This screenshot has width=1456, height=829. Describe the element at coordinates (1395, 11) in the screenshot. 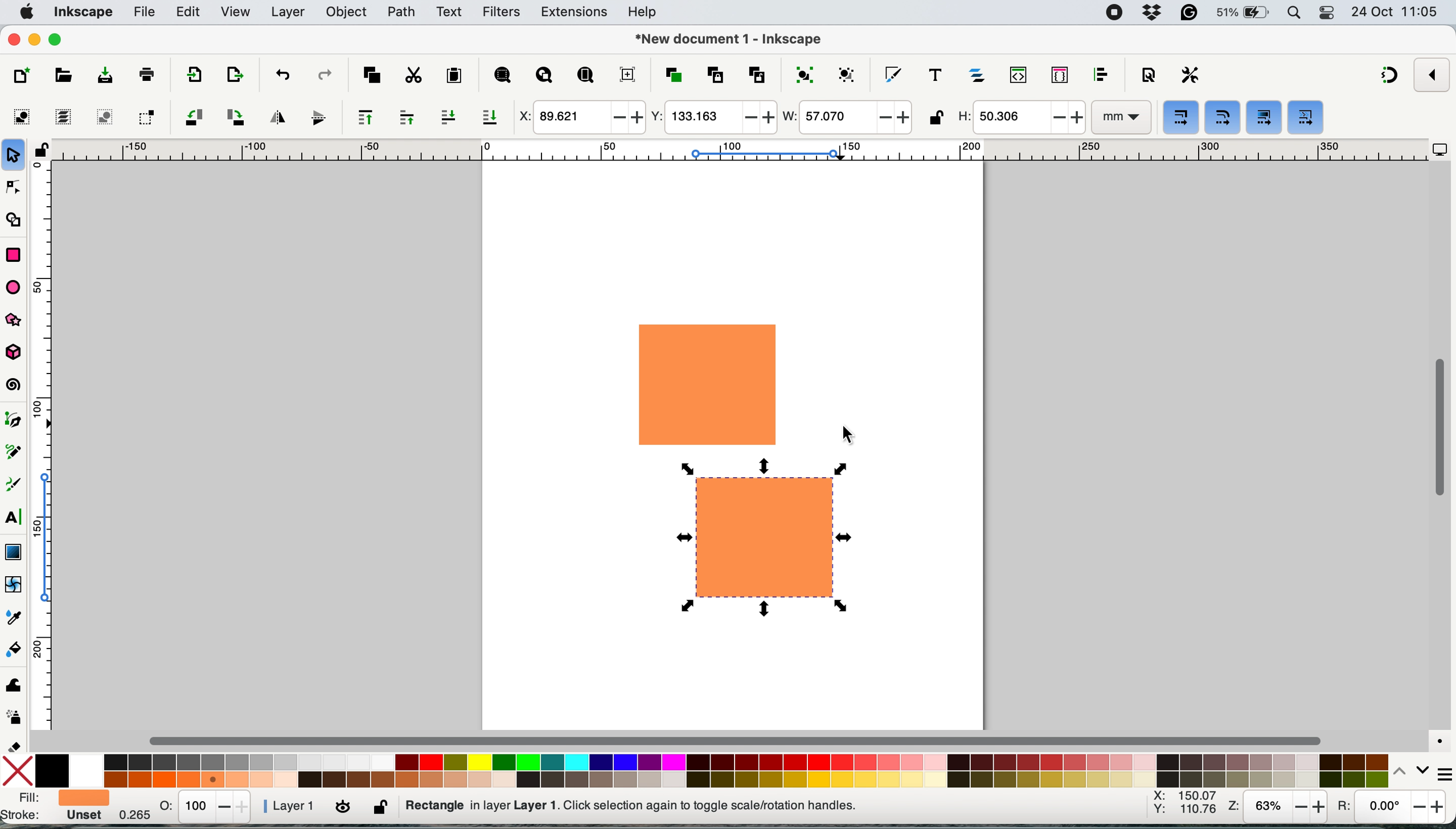

I see `date and time` at that location.